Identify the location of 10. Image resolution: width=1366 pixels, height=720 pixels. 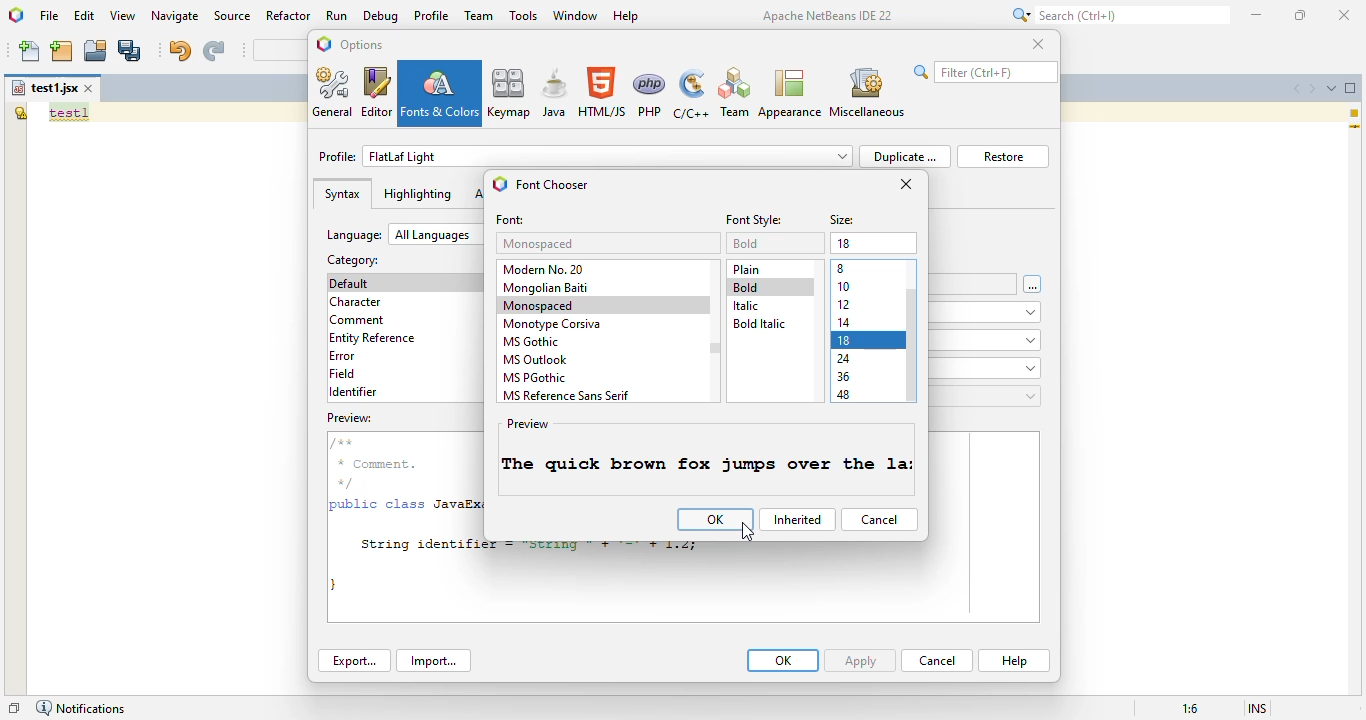
(844, 286).